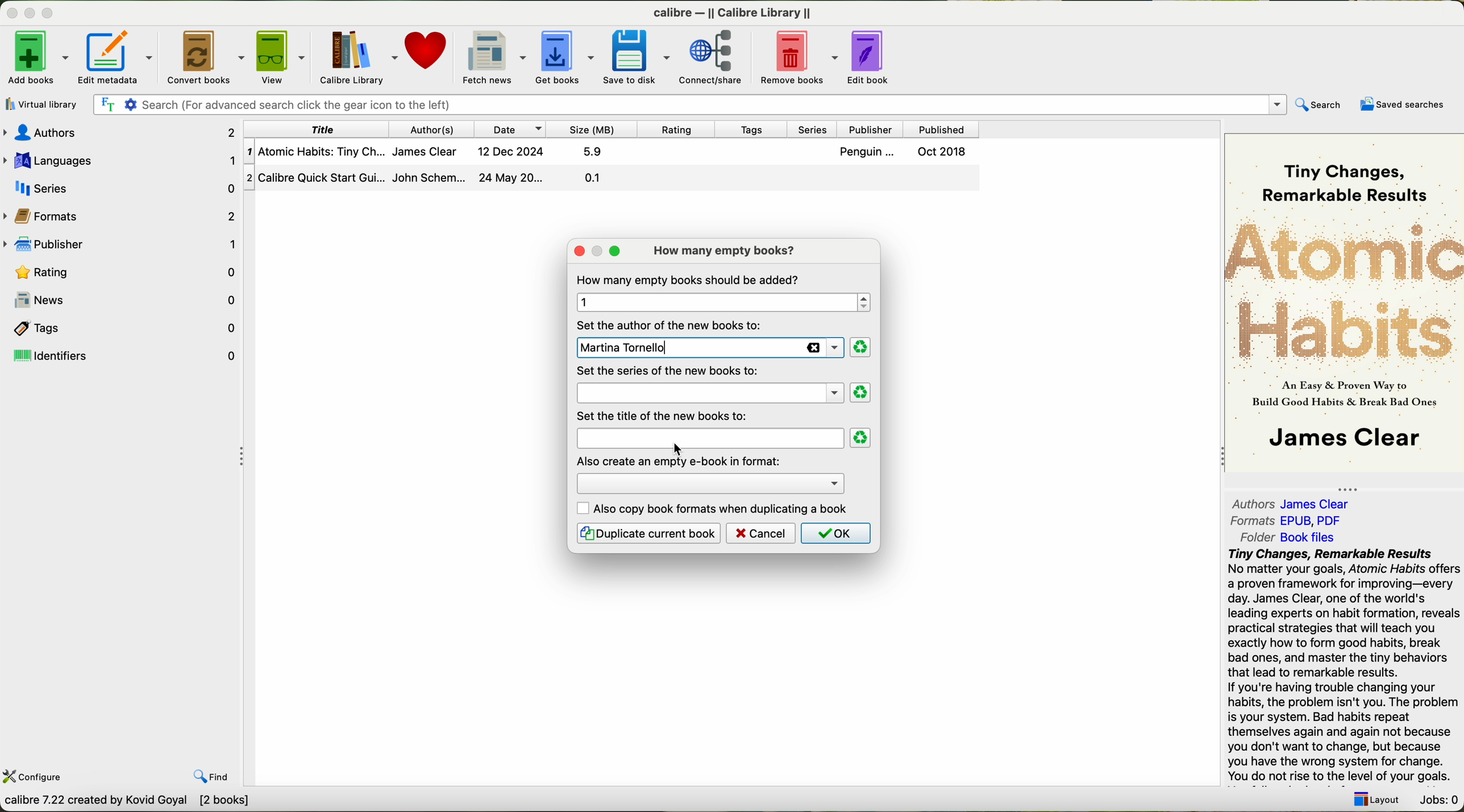 The width and height of the screenshot is (1464, 812). I want to click on maximize, so click(615, 252).